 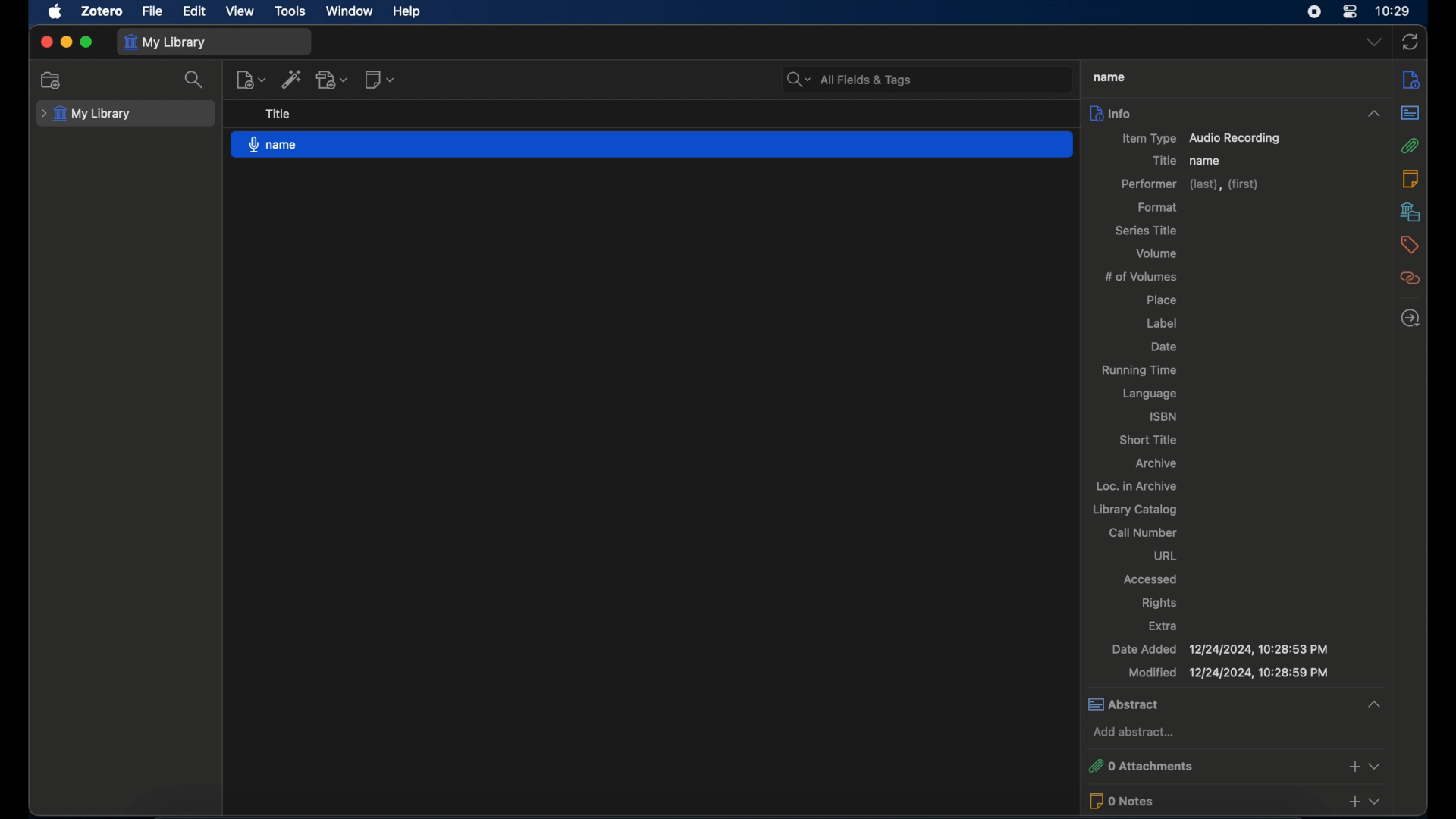 I want to click on name, so click(x=1206, y=161).